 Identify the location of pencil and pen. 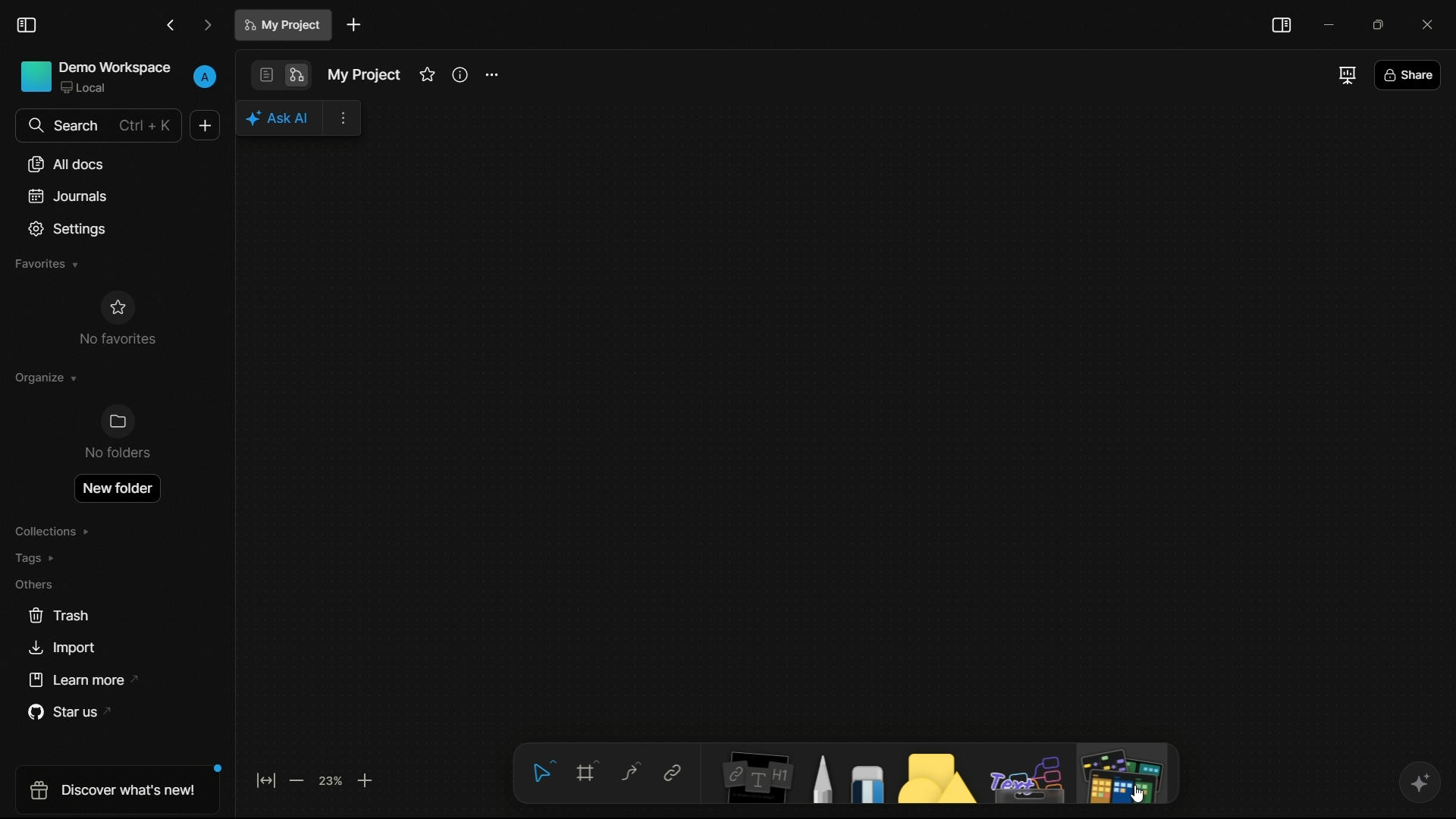
(821, 778).